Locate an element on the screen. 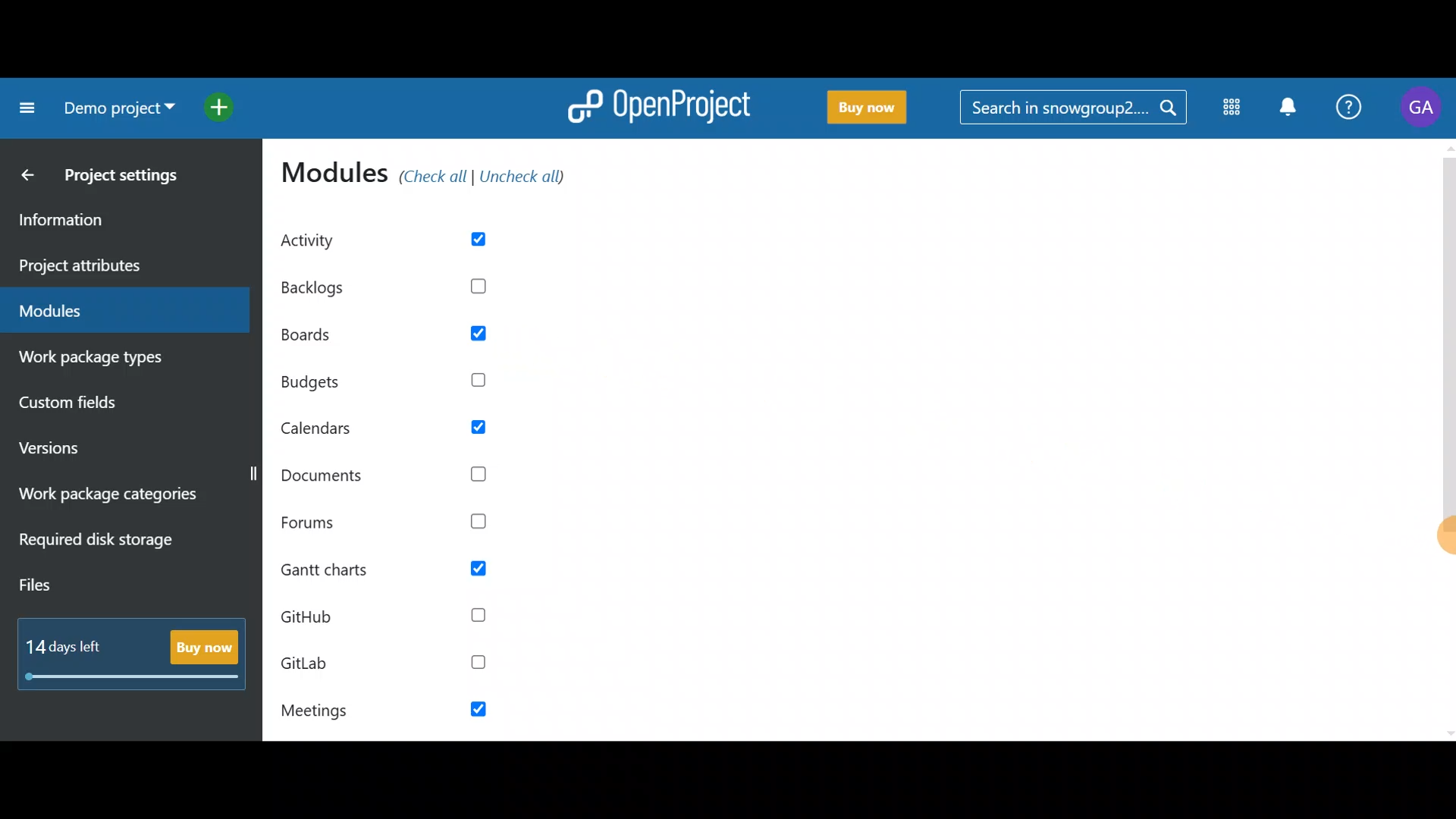  Open quick add menu is located at coordinates (223, 106).